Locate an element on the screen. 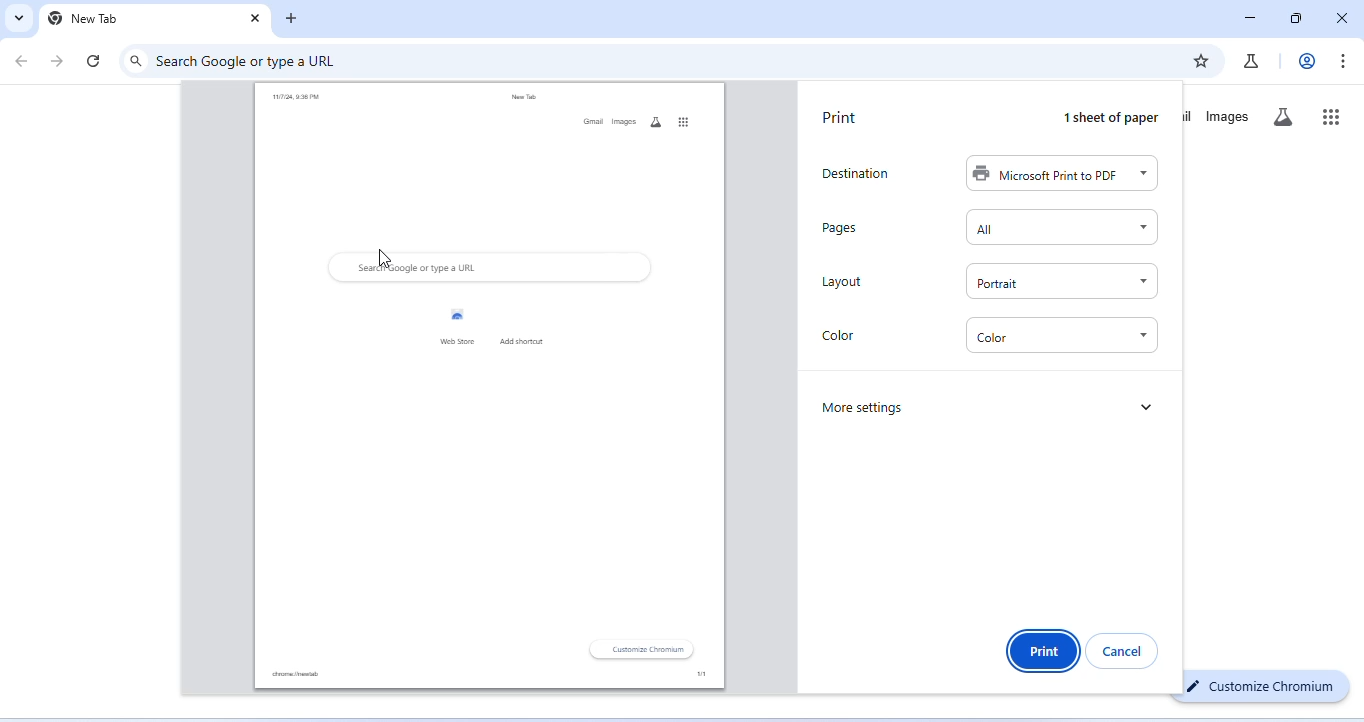 This screenshot has width=1364, height=722. bookmark is located at coordinates (1201, 61).